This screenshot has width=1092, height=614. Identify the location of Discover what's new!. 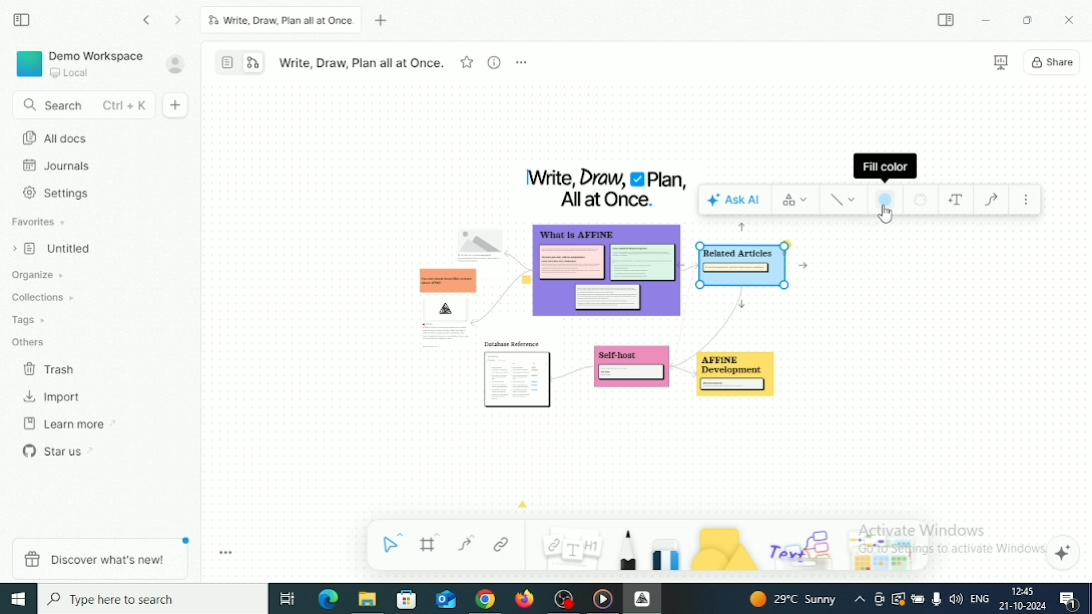
(98, 558).